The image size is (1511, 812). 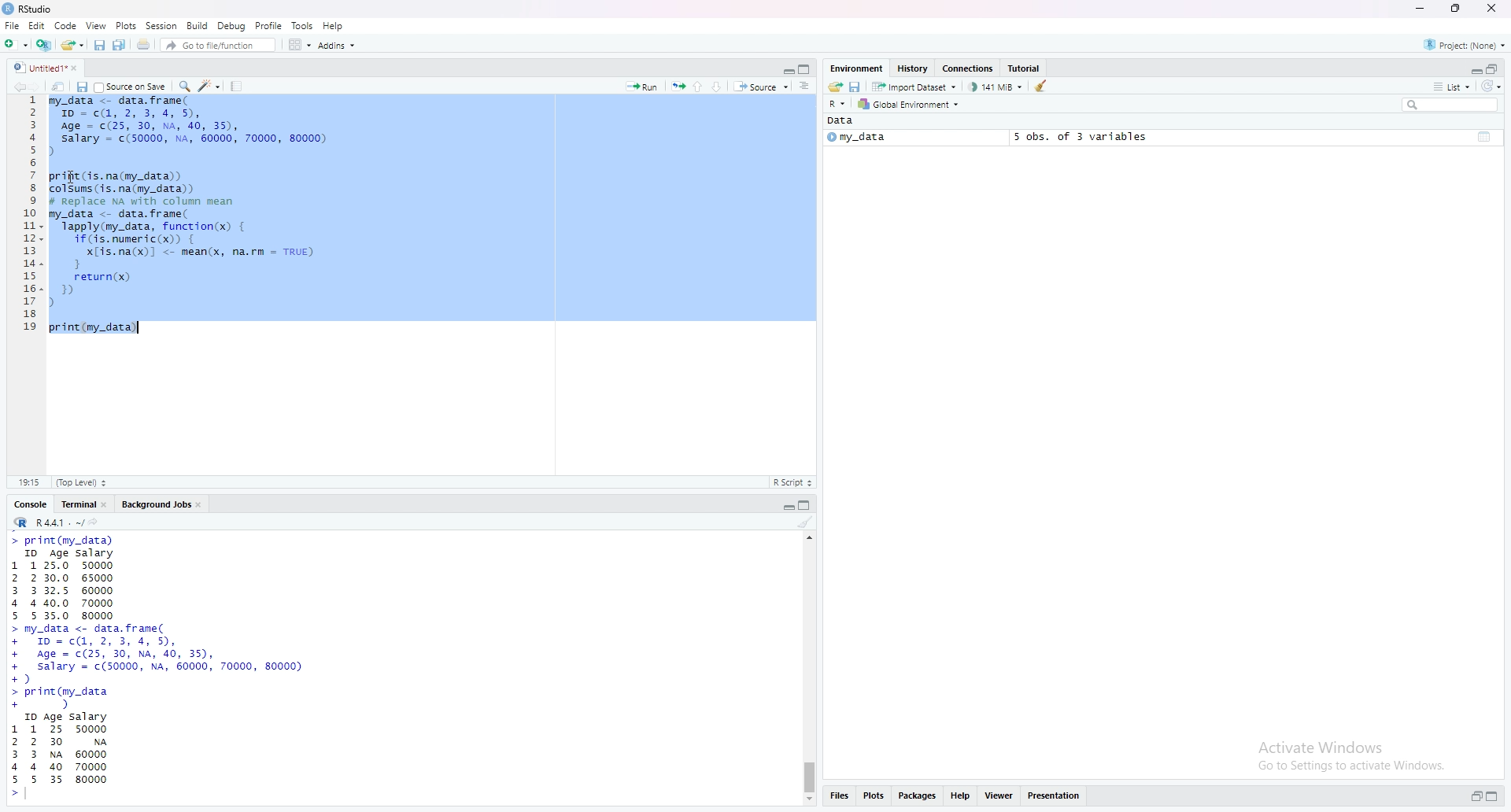 What do you see at coordinates (809, 669) in the screenshot?
I see `scrollbar` at bounding box center [809, 669].